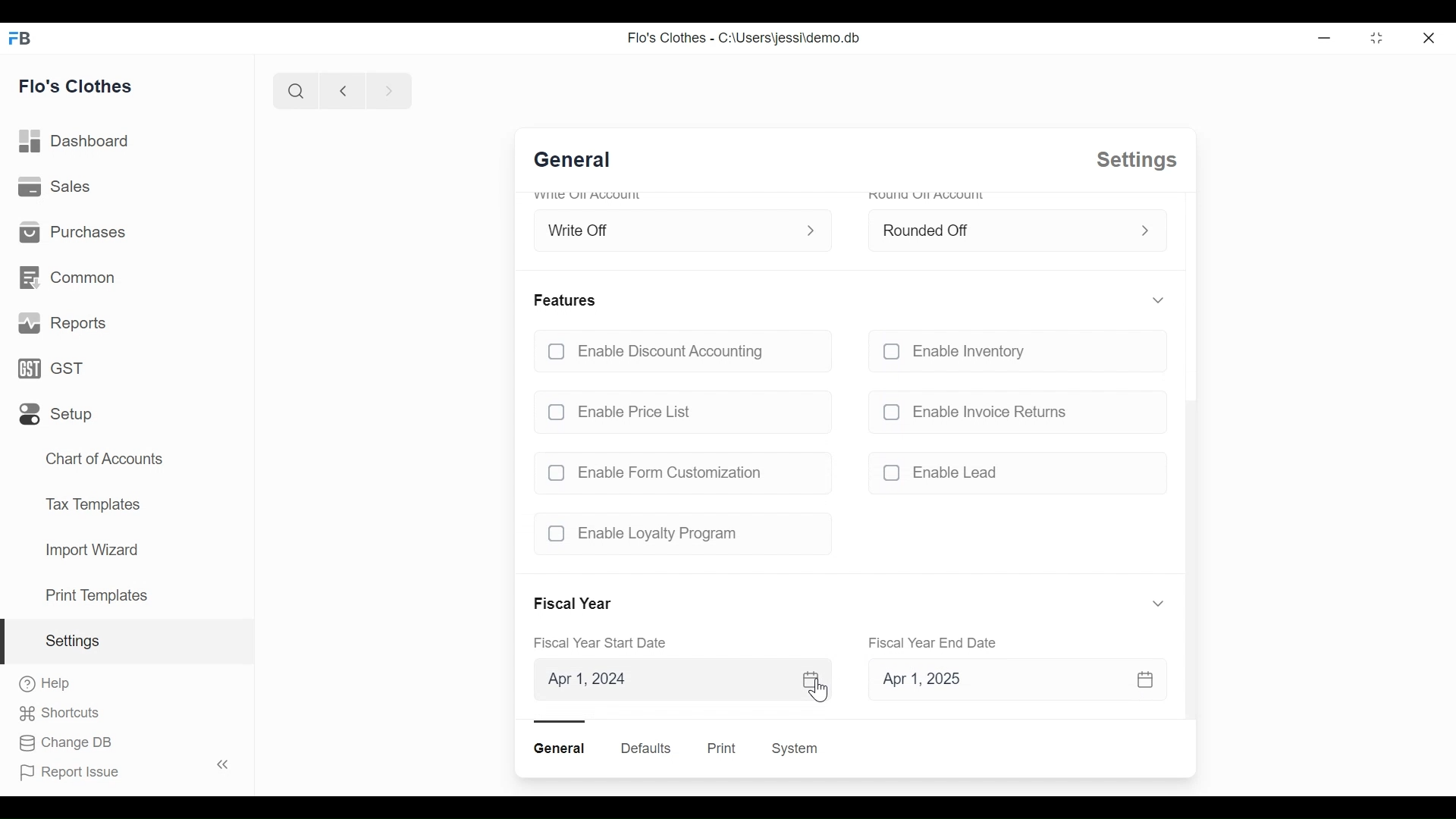 This screenshot has height=819, width=1456. Describe the element at coordinates (57, 369) in the screenshot. I see `GST` at that location.